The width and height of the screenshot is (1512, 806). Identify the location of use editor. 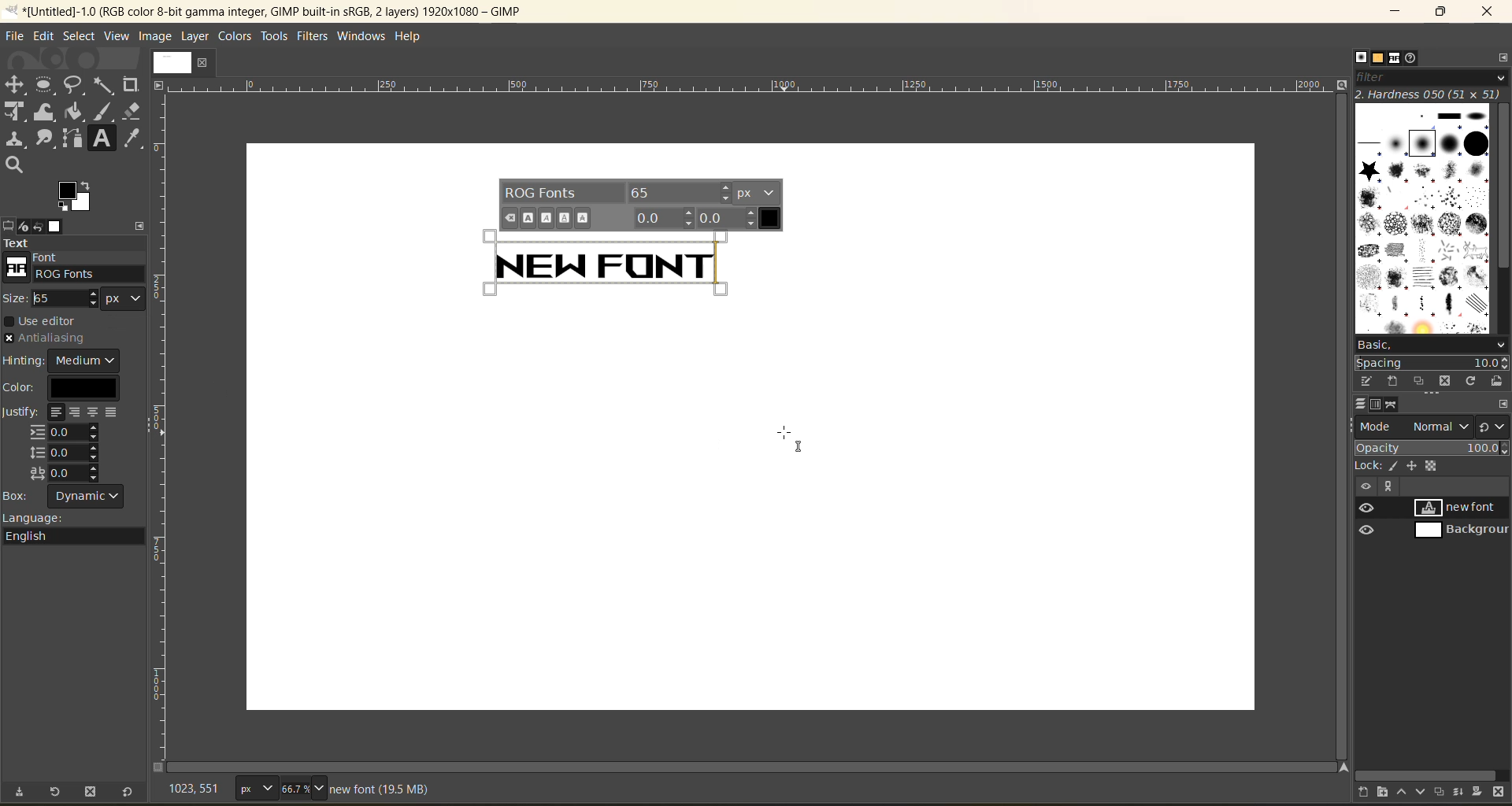
(46, 322).